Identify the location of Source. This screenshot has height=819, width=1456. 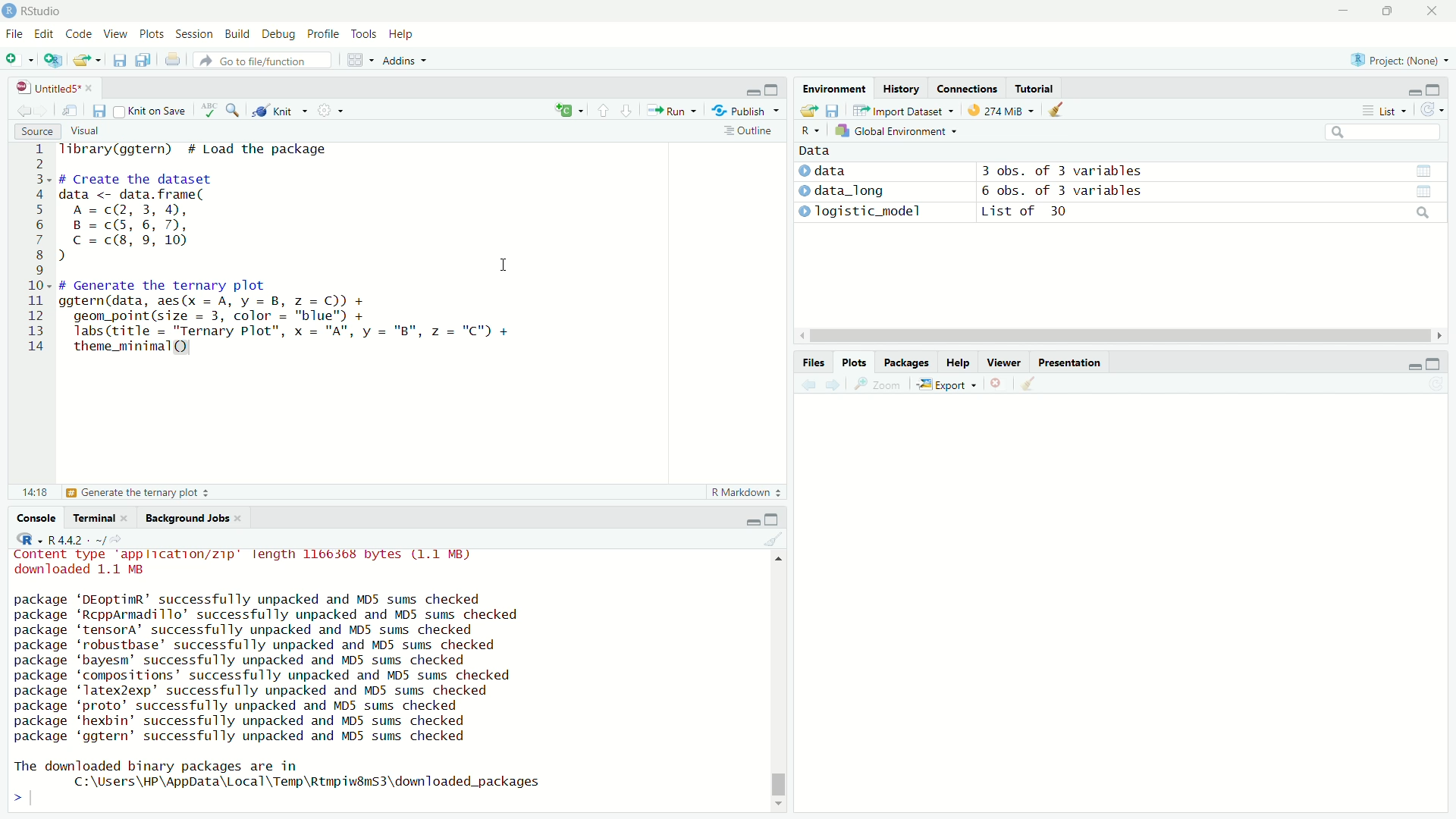
(35, 131).